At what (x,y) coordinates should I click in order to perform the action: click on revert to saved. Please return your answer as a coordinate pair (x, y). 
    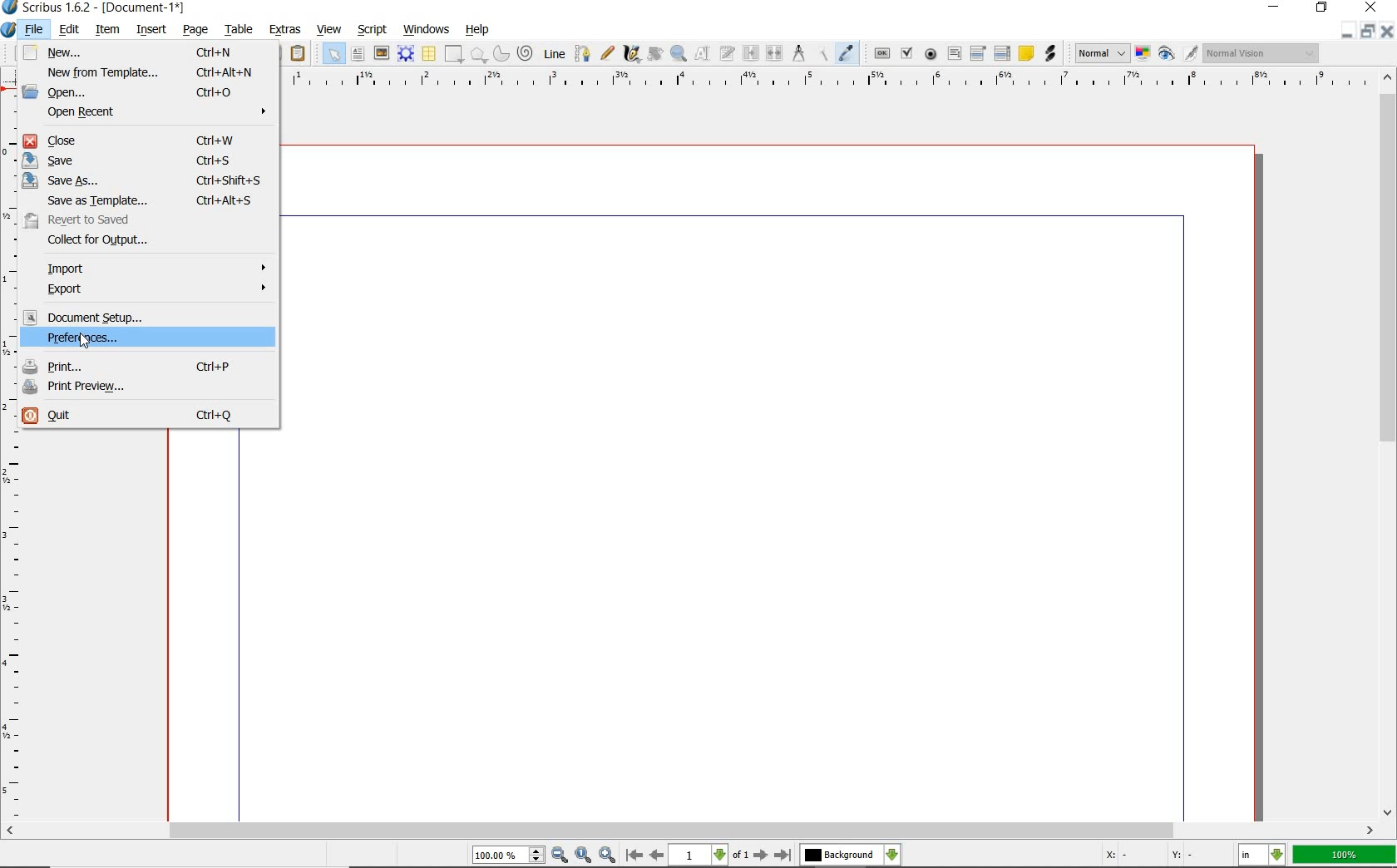
    Looking at the image, I should click on (108, 219).